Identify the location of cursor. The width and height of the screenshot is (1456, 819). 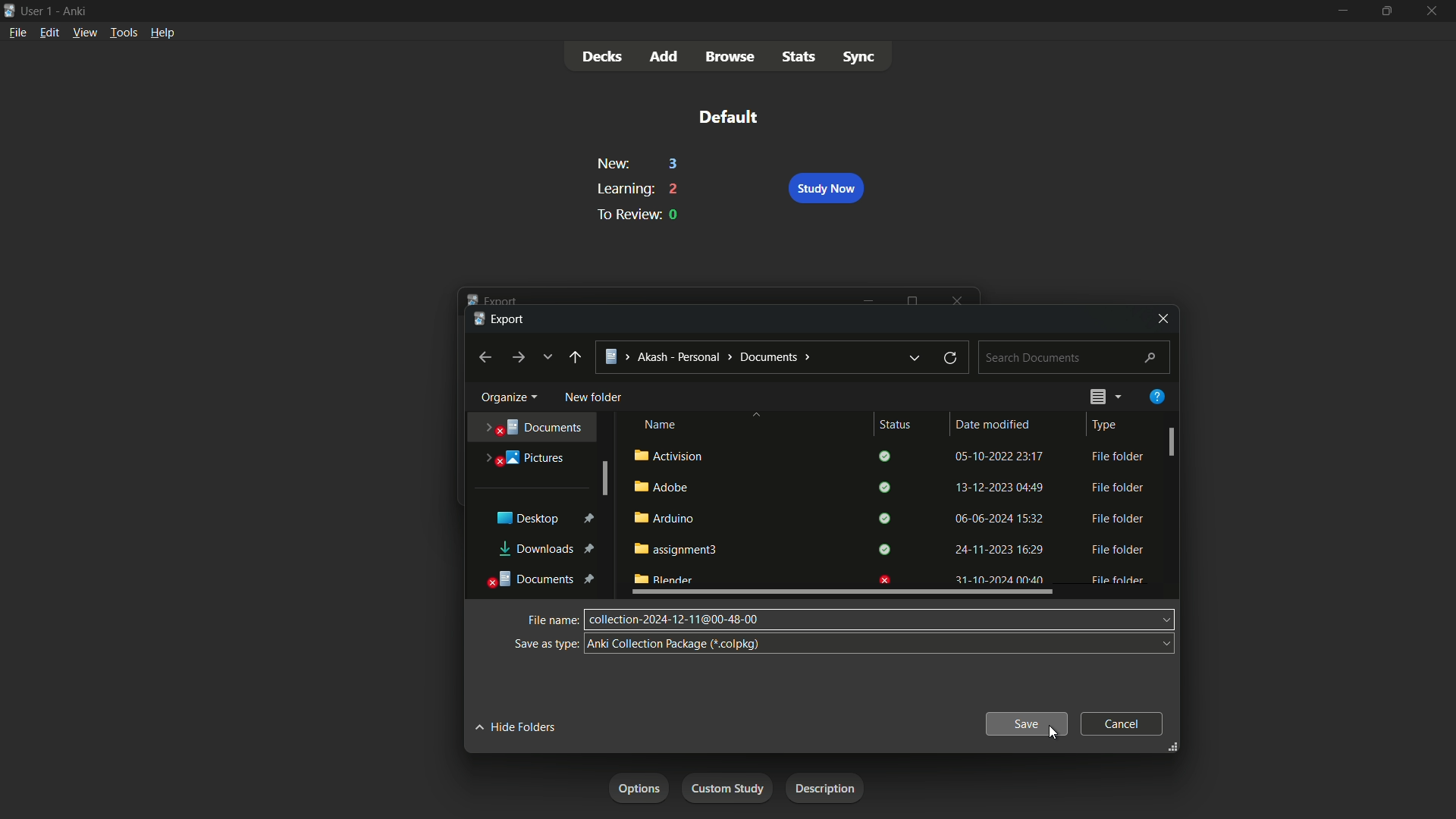
(1051, 733).